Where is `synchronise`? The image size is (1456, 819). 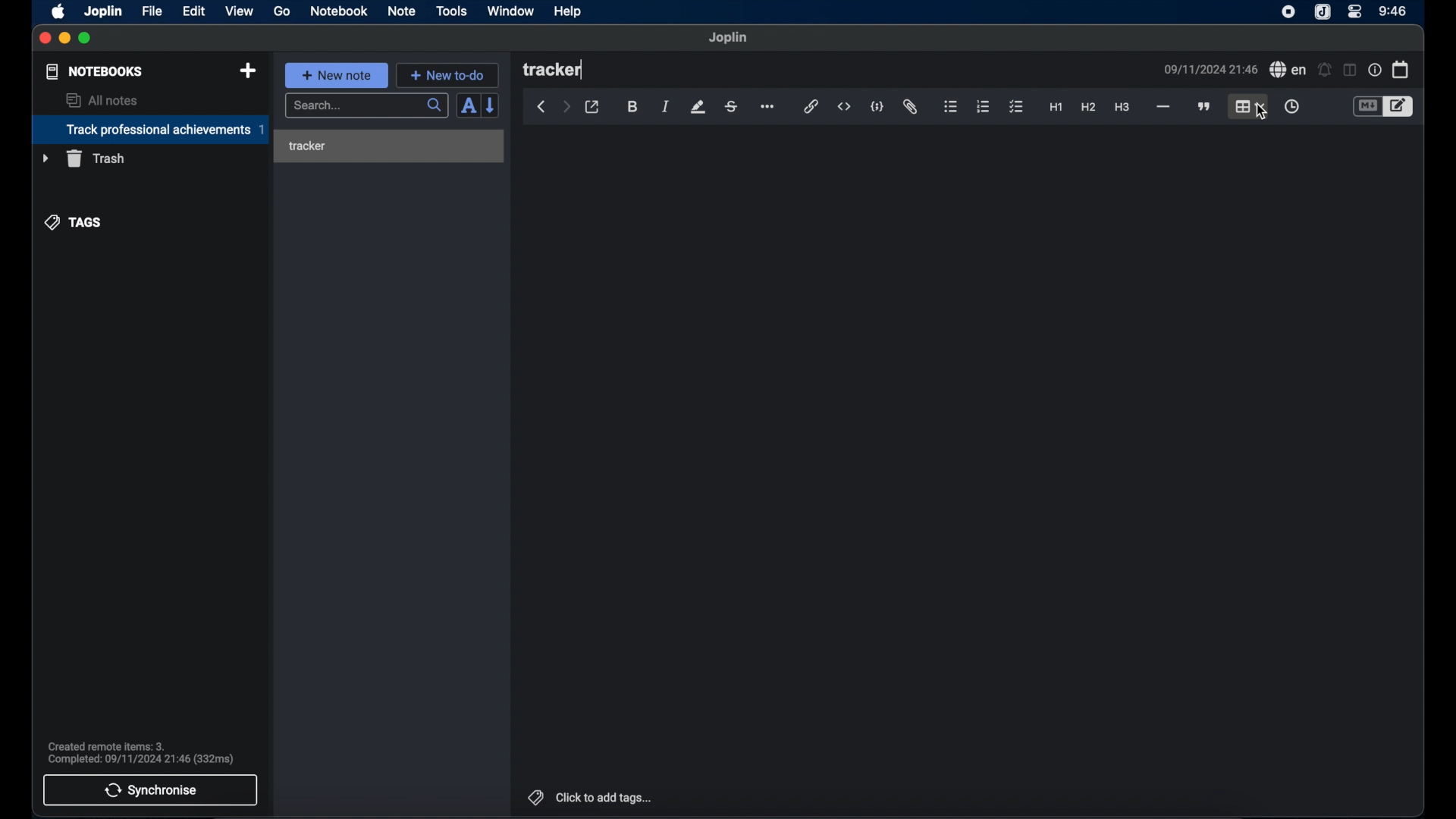
synchronise is located at coordinates (151, 790).